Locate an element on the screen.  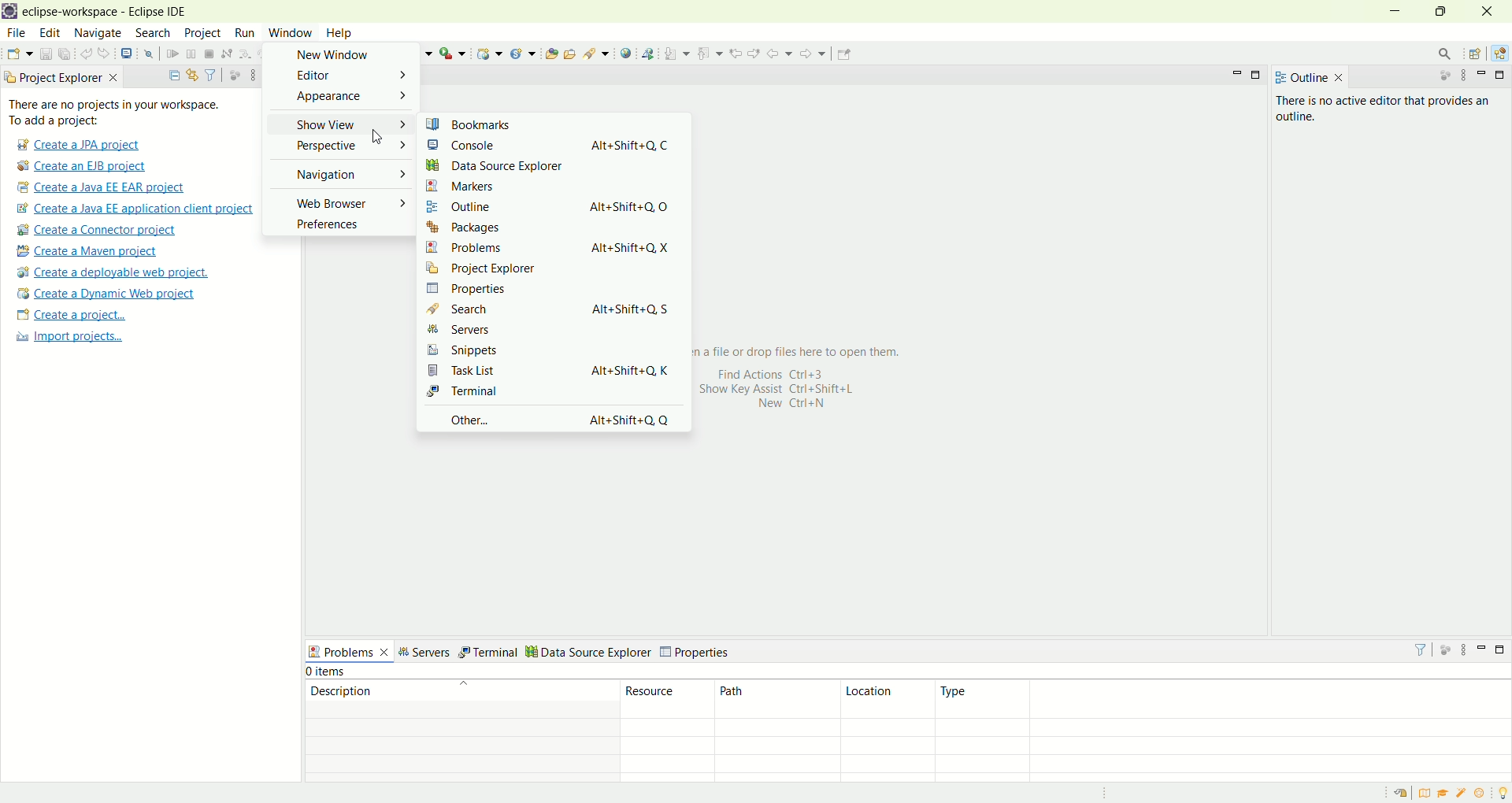
logo is located at coordinates (9, 11).